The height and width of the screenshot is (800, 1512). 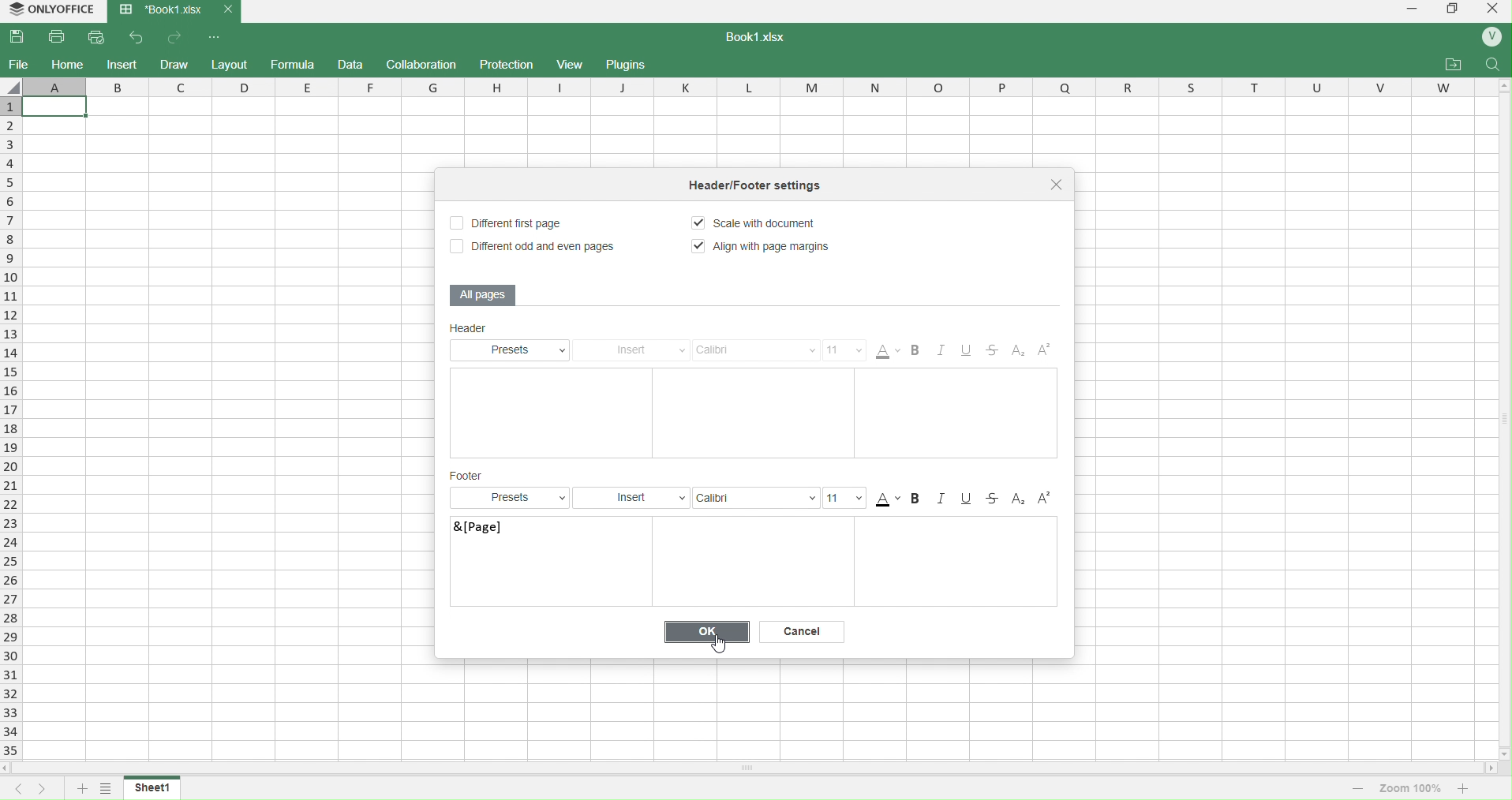 I want to click on move left, so click(x=9, y=768).